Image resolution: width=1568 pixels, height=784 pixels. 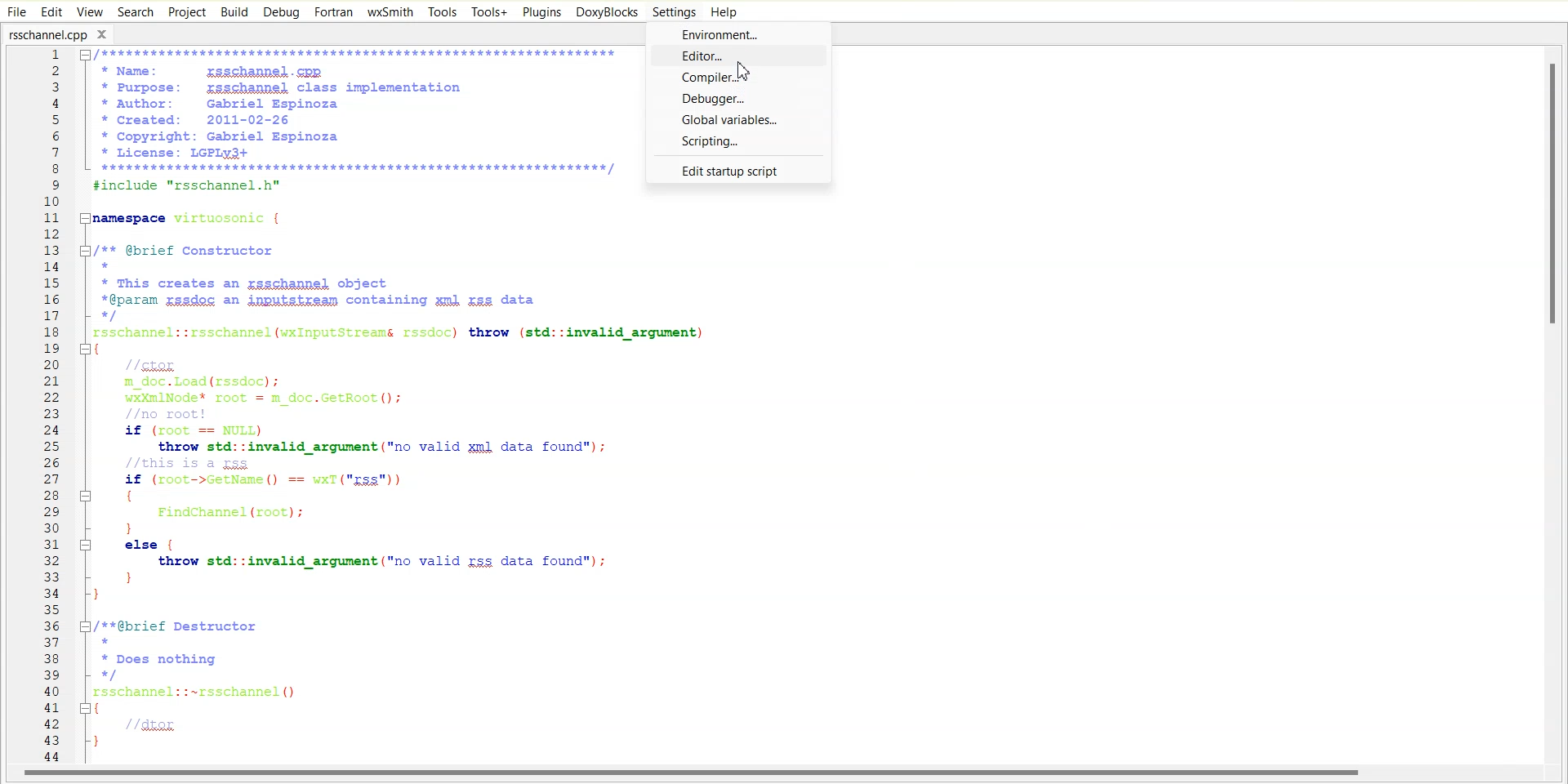 I want to click on code, so click(x=365, y=398).